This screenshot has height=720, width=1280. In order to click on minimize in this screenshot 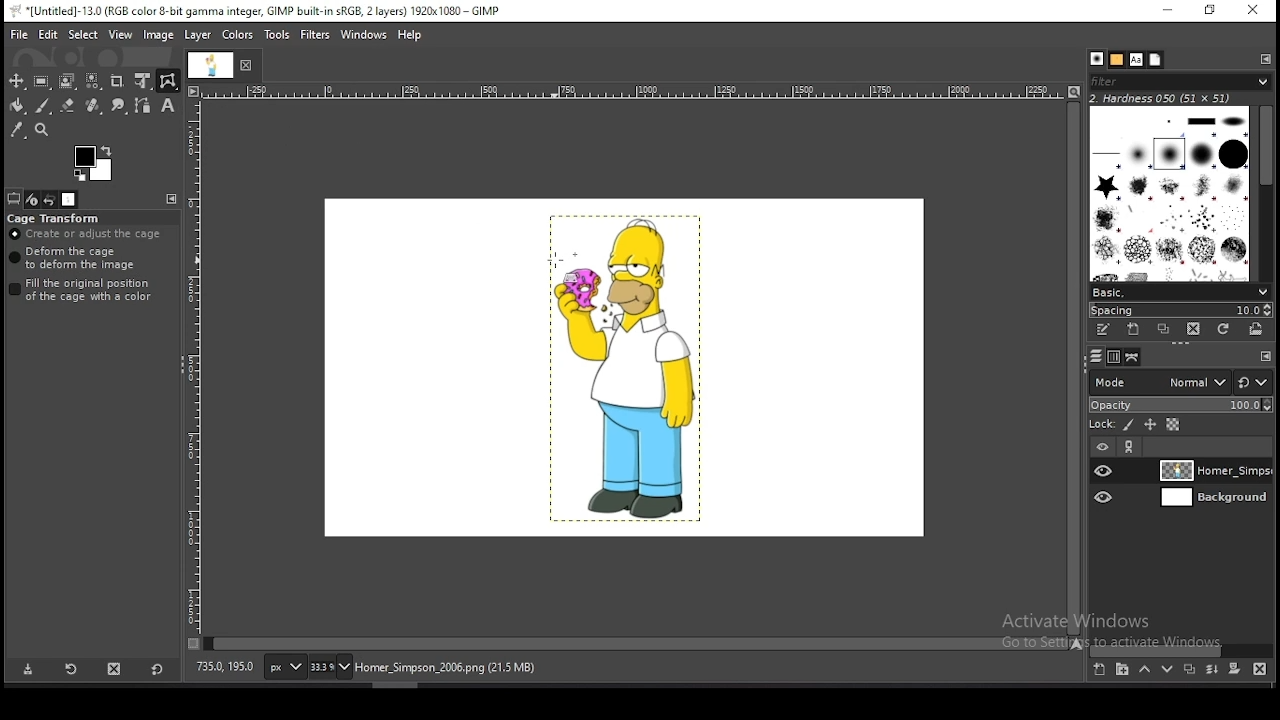, I will do `click(1168, 11)`.